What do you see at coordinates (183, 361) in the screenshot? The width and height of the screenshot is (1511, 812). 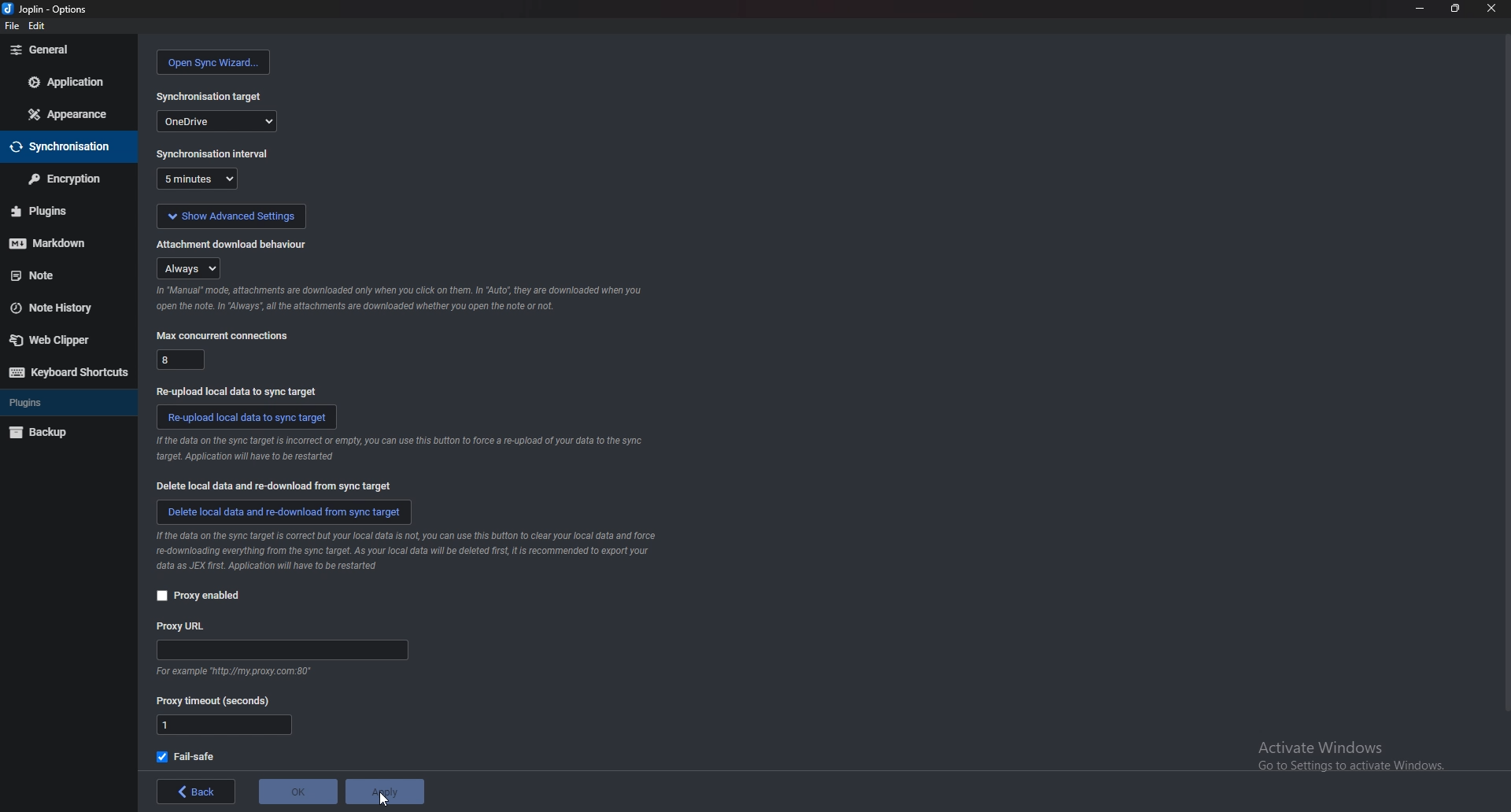 I see `8` at bounding box center [183, 361].